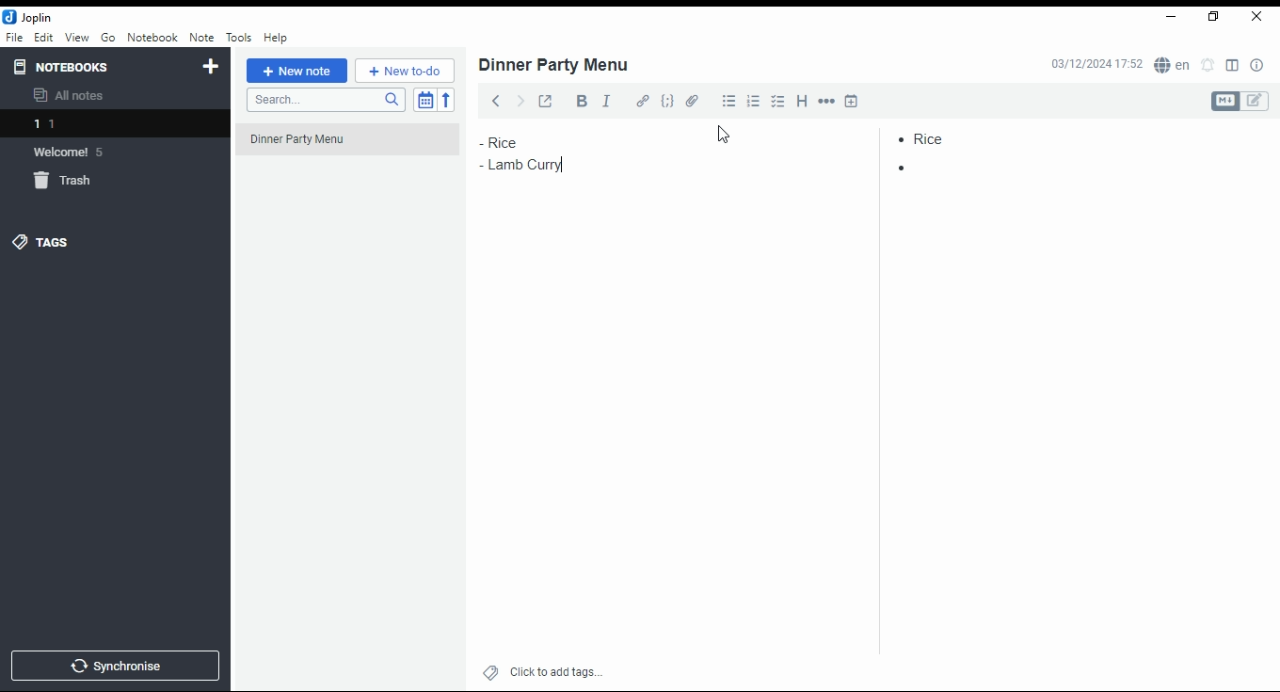 Image resolution: width=1280 pixels, height=692 pixels. What do you see at coordinates (66, 181) in the screenshot?
I see `trash` at bounding box center [66, 181].